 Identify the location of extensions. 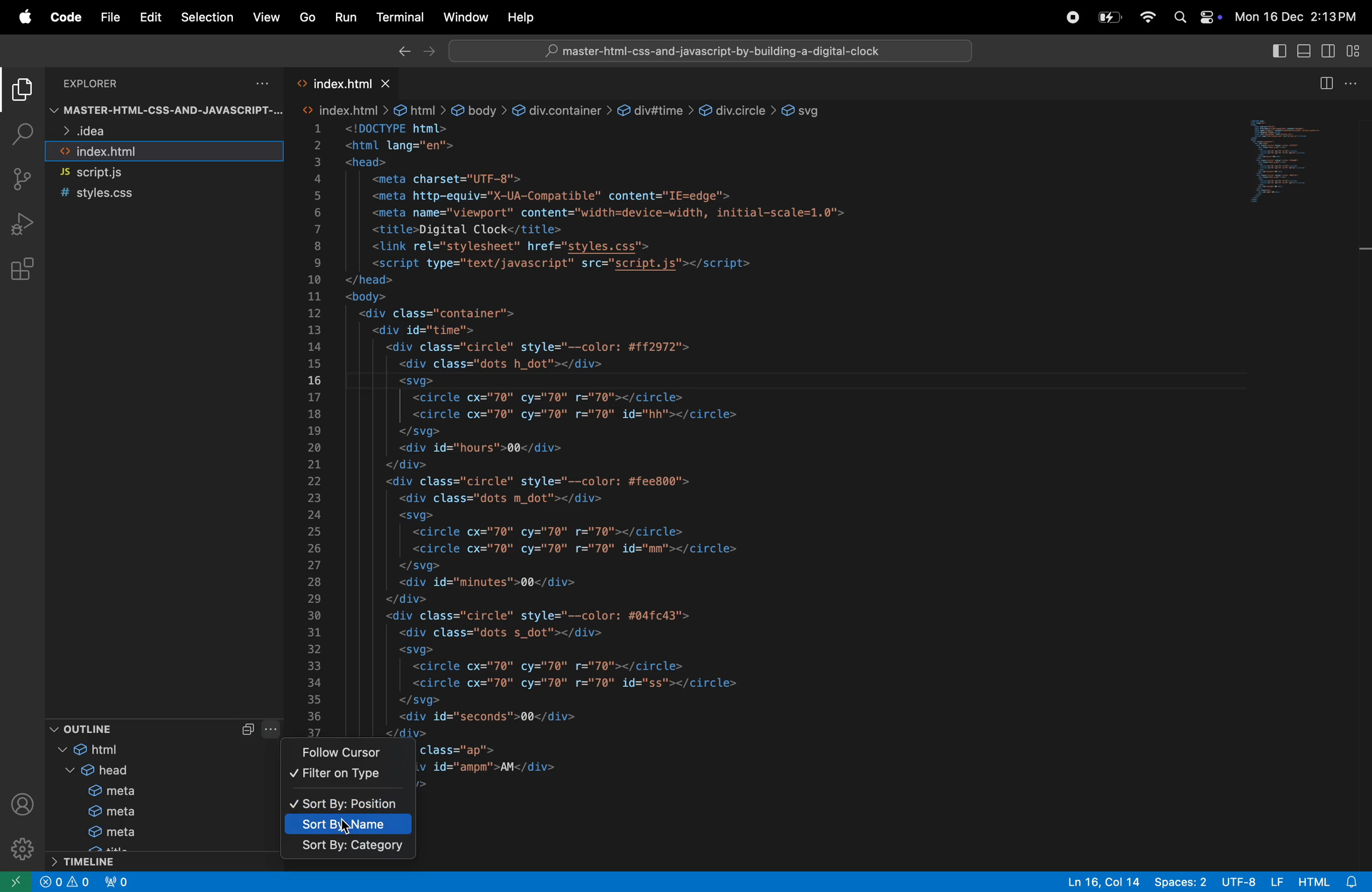
(25, 267).